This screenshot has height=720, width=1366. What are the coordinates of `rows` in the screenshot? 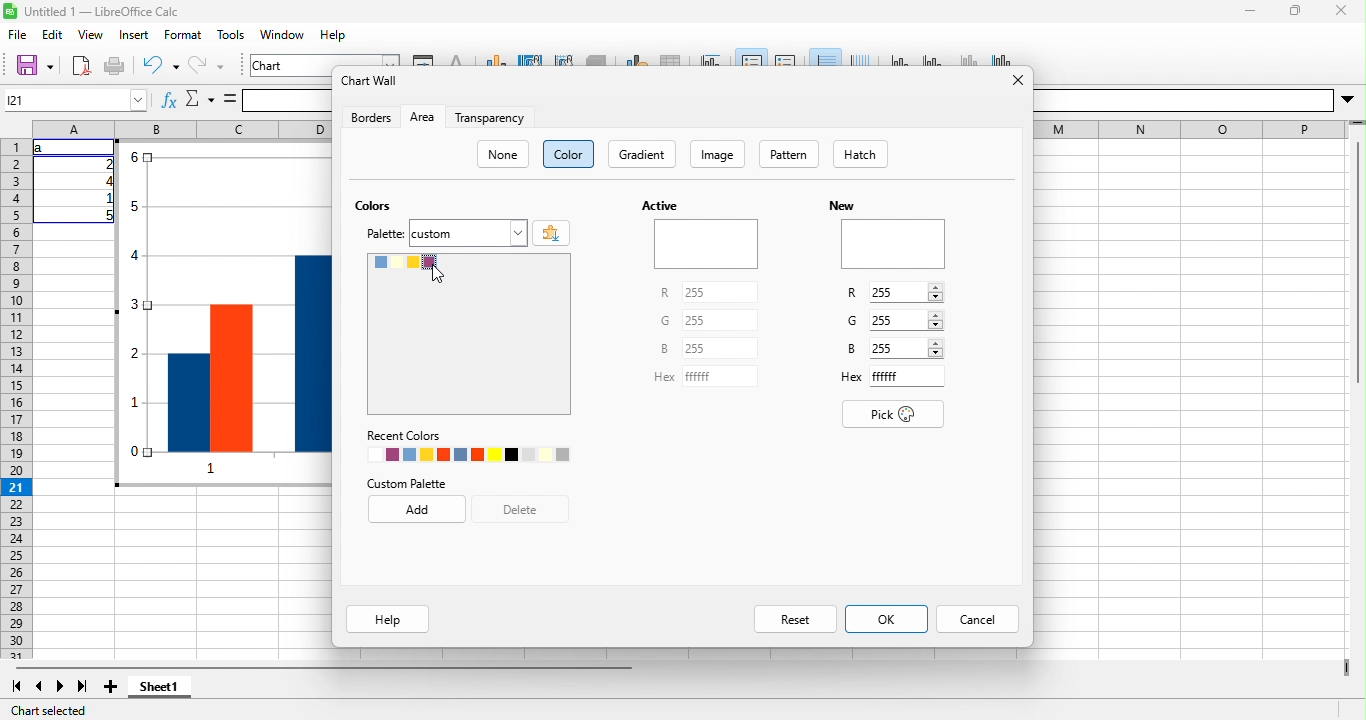 It's located at (17, 399).